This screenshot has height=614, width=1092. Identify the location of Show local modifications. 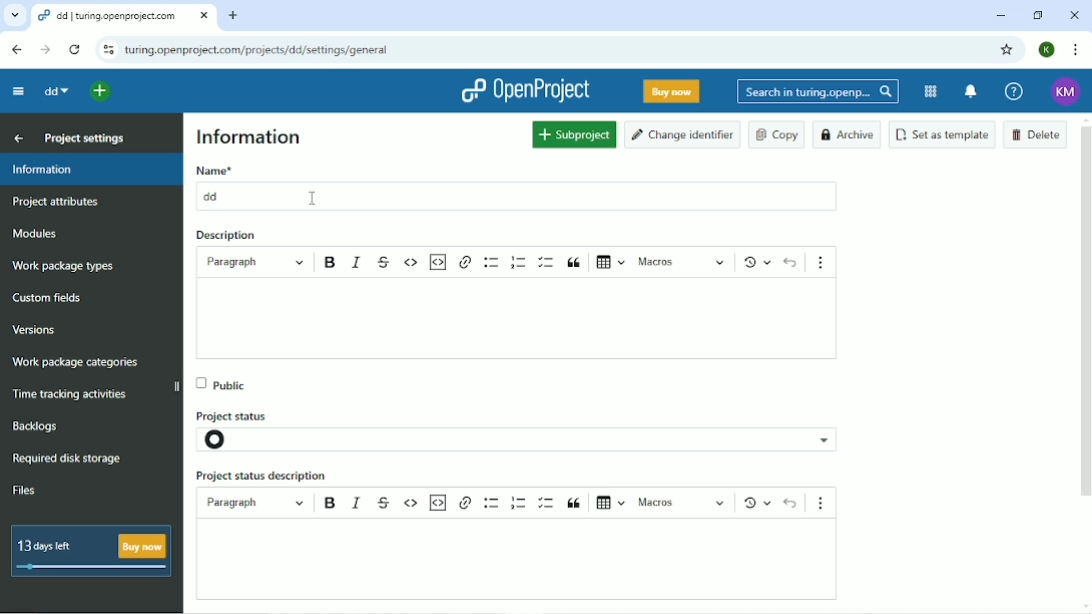
(754, 501).